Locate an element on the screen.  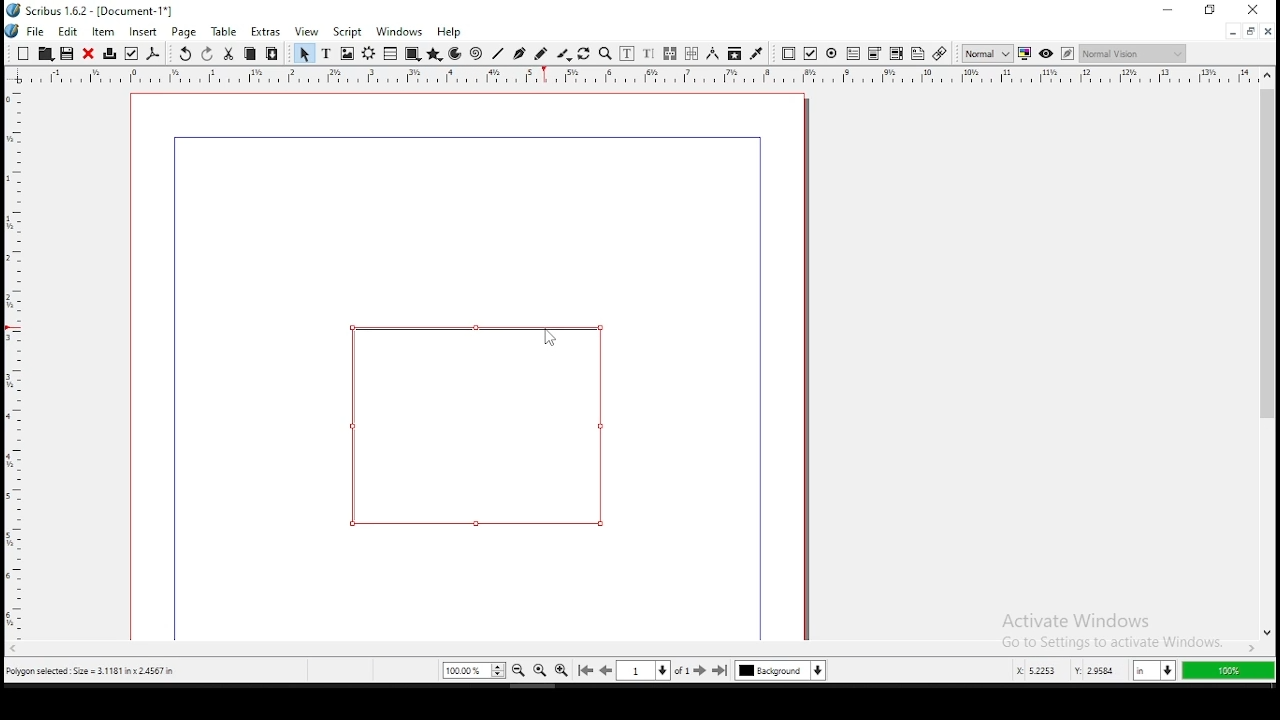
in is located at coordinates (1151, 671).